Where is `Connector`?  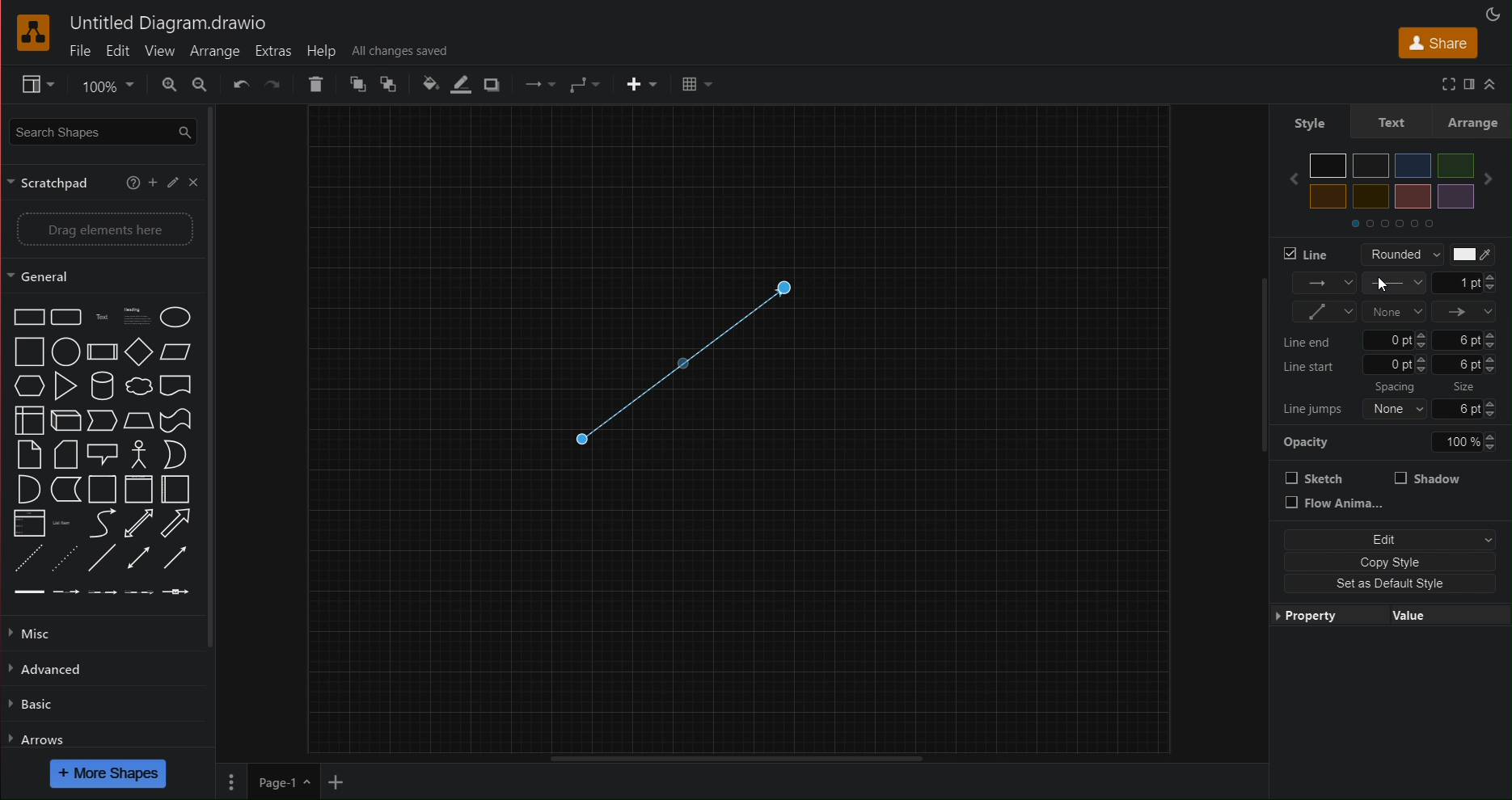 Connector is located at coordinates (585, 85).